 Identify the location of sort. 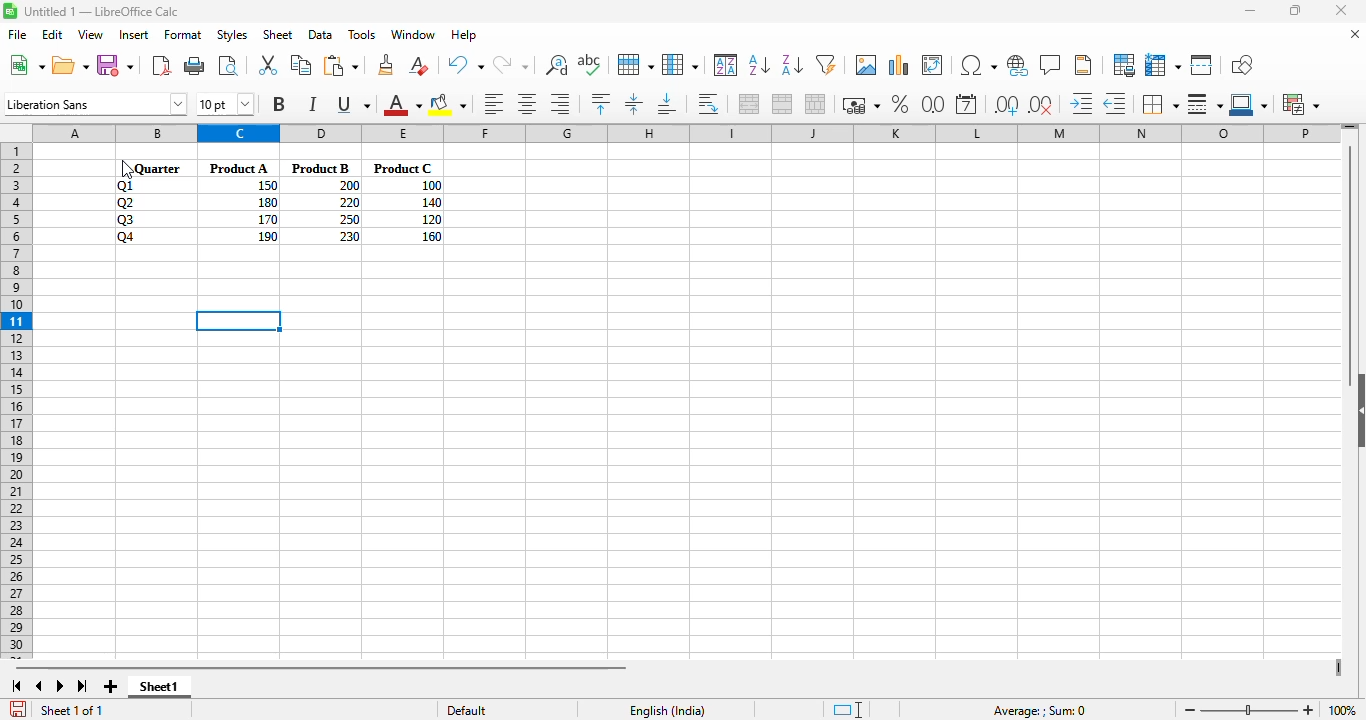
(726, 65).